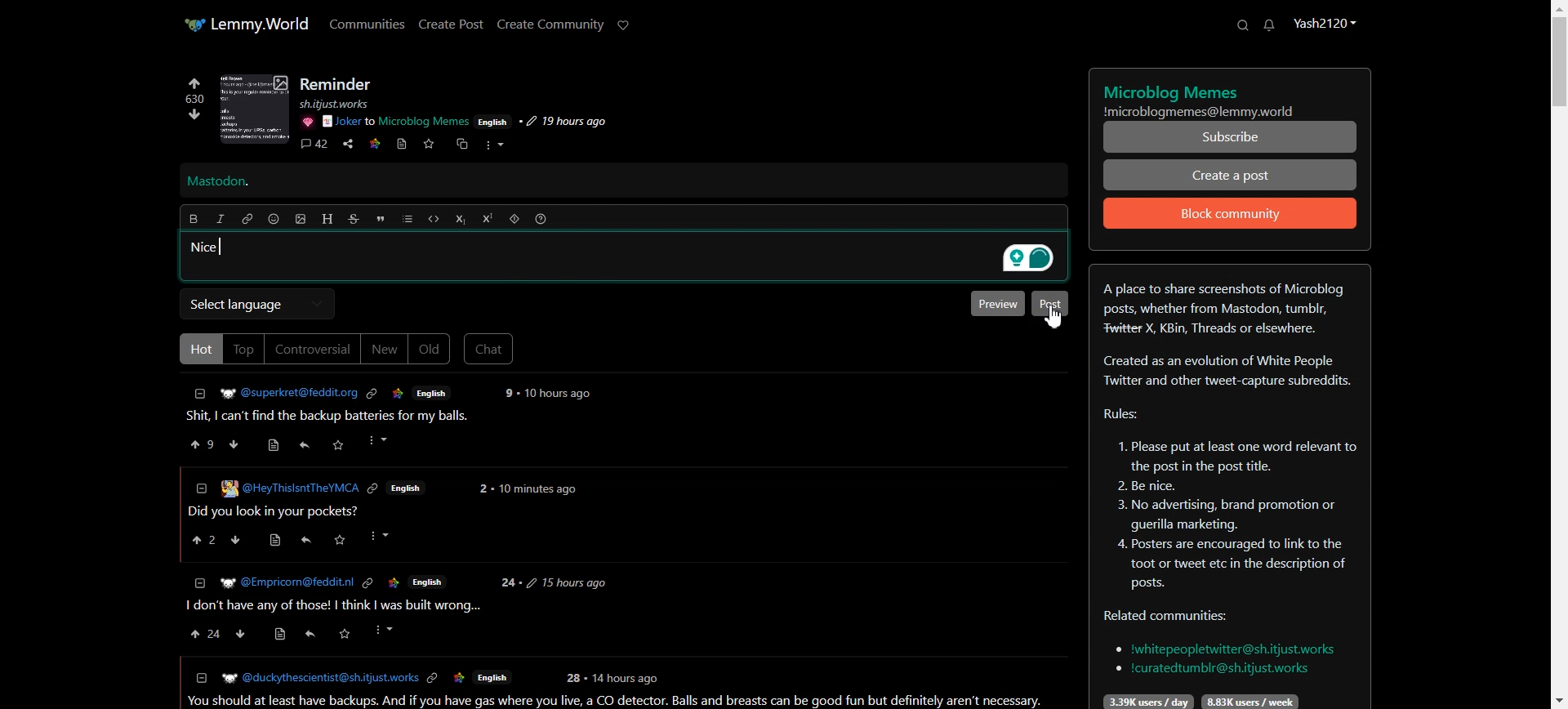  What do you see at coordinates (220, 219) in the screenshot?
I see `Italic` at bounding box center [220, 219].